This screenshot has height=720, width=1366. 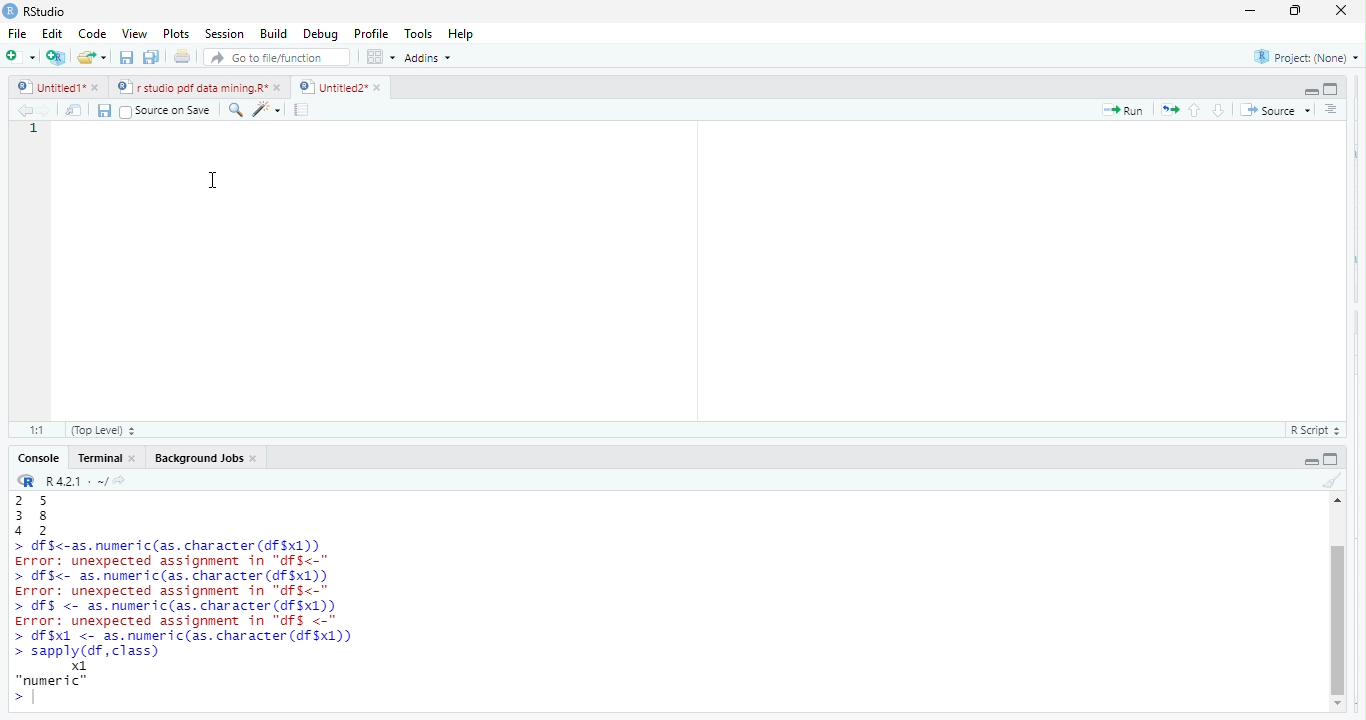 What do you see at coordinates (20, 59) in the screenshot?
I see `new file` at bounding box center [20, 59].